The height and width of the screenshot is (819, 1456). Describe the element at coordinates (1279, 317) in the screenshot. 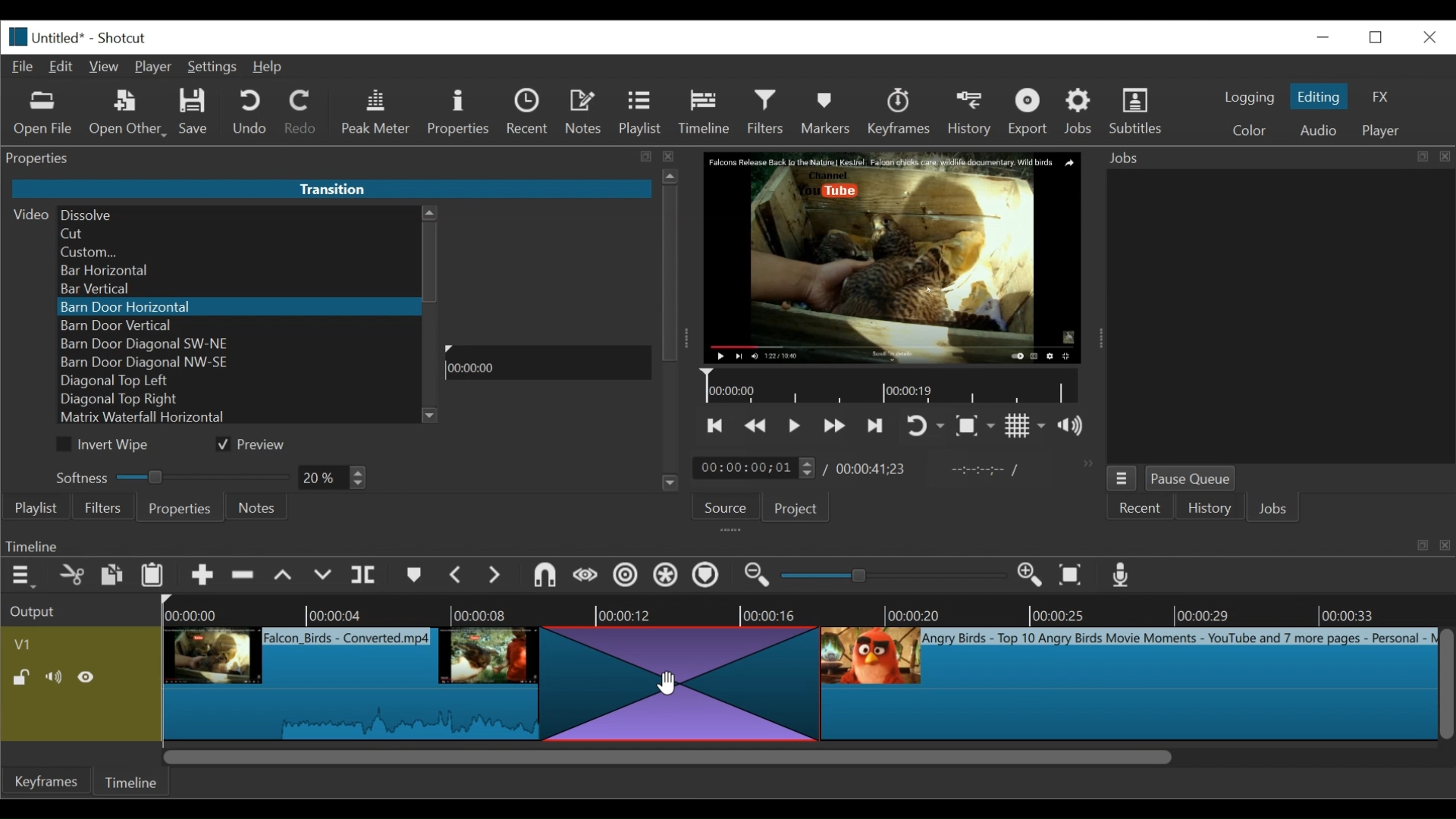

I see `Job Panel` at that location.